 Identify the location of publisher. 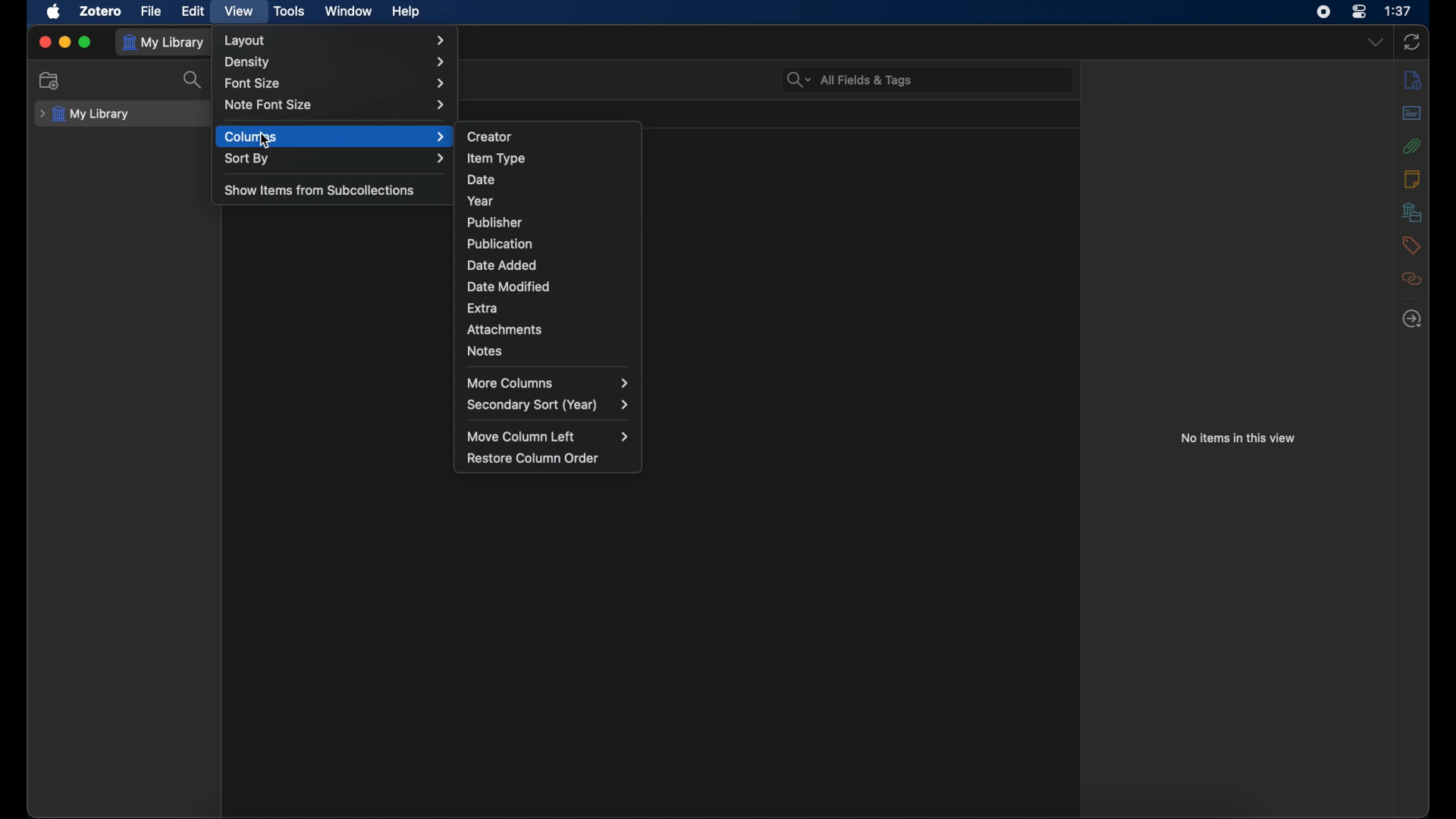
(496, 222).